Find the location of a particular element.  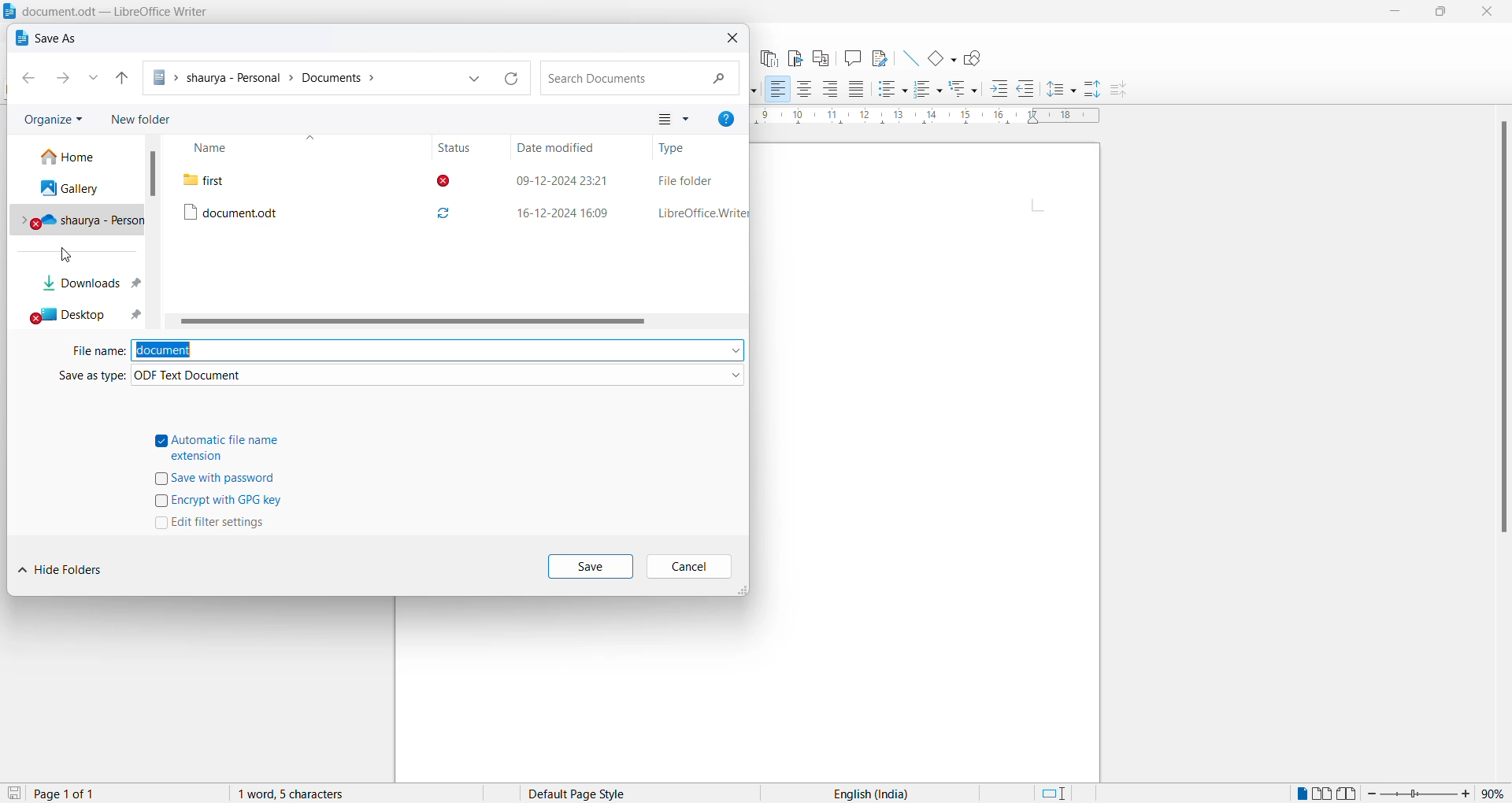

cursor is located at coordinates (72, 258).